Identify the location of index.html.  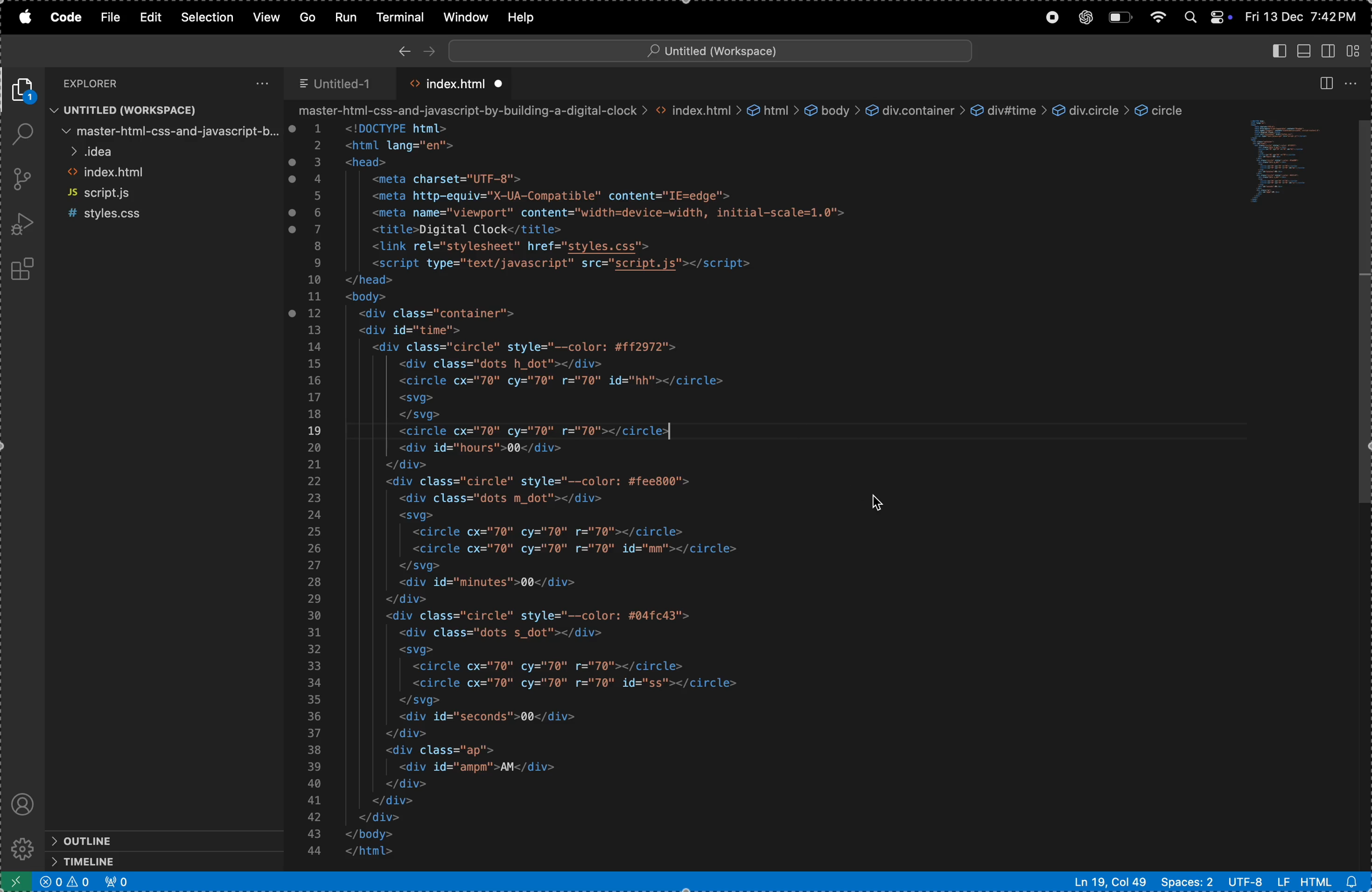
(455, 83).